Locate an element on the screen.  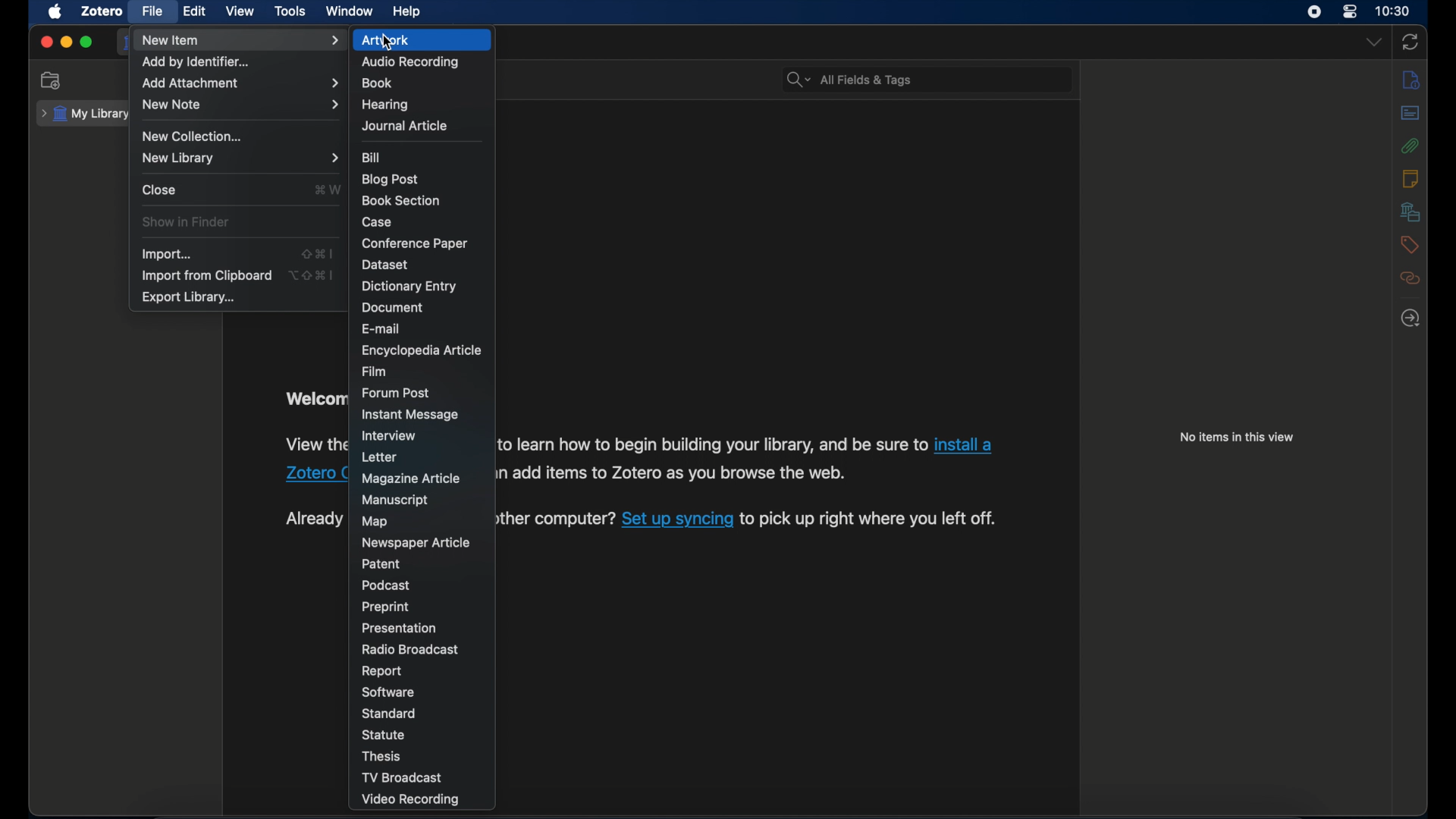
film is located at coordinates (375, 371).